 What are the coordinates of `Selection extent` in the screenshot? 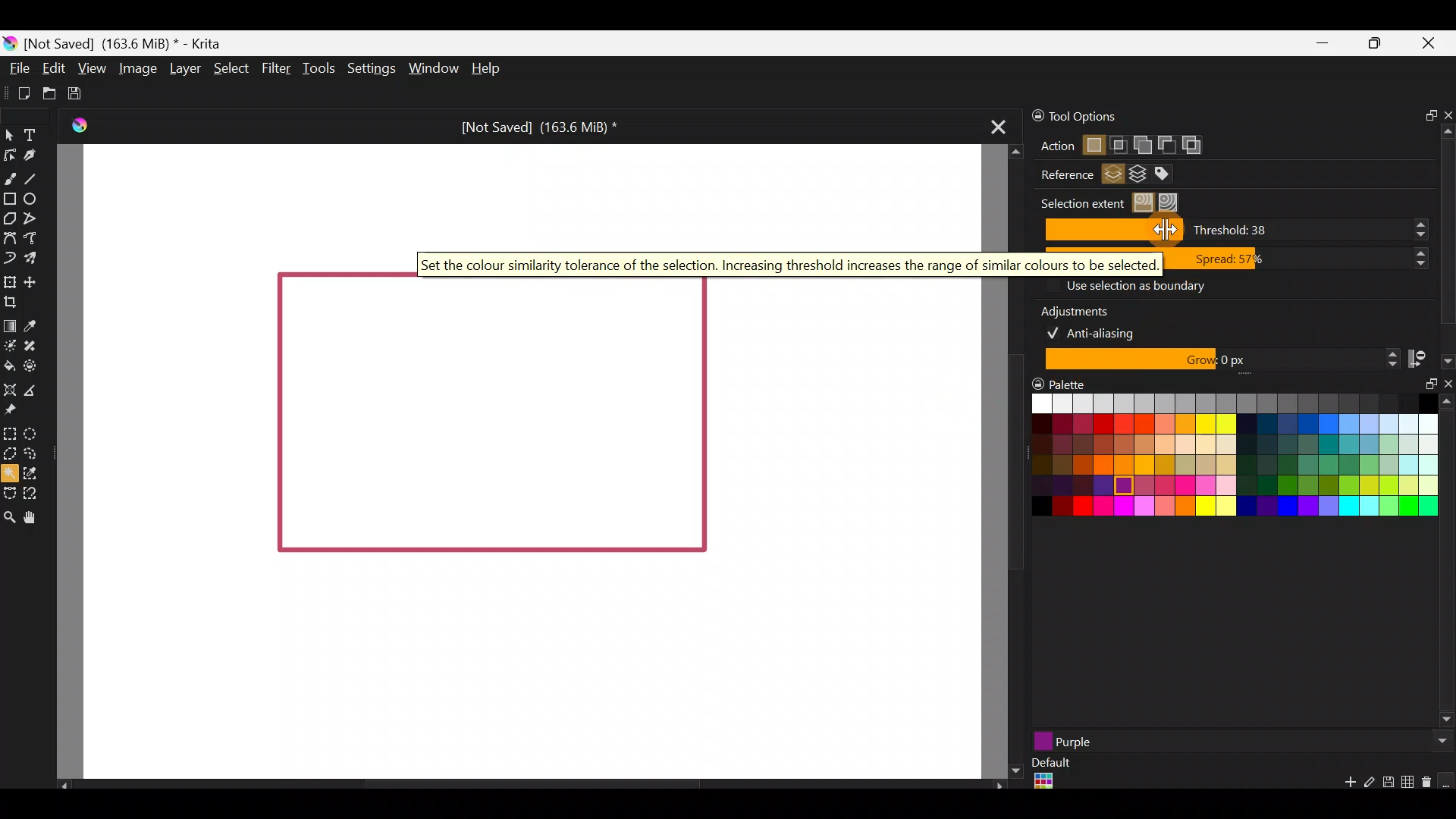 It's located at (1080, 203).